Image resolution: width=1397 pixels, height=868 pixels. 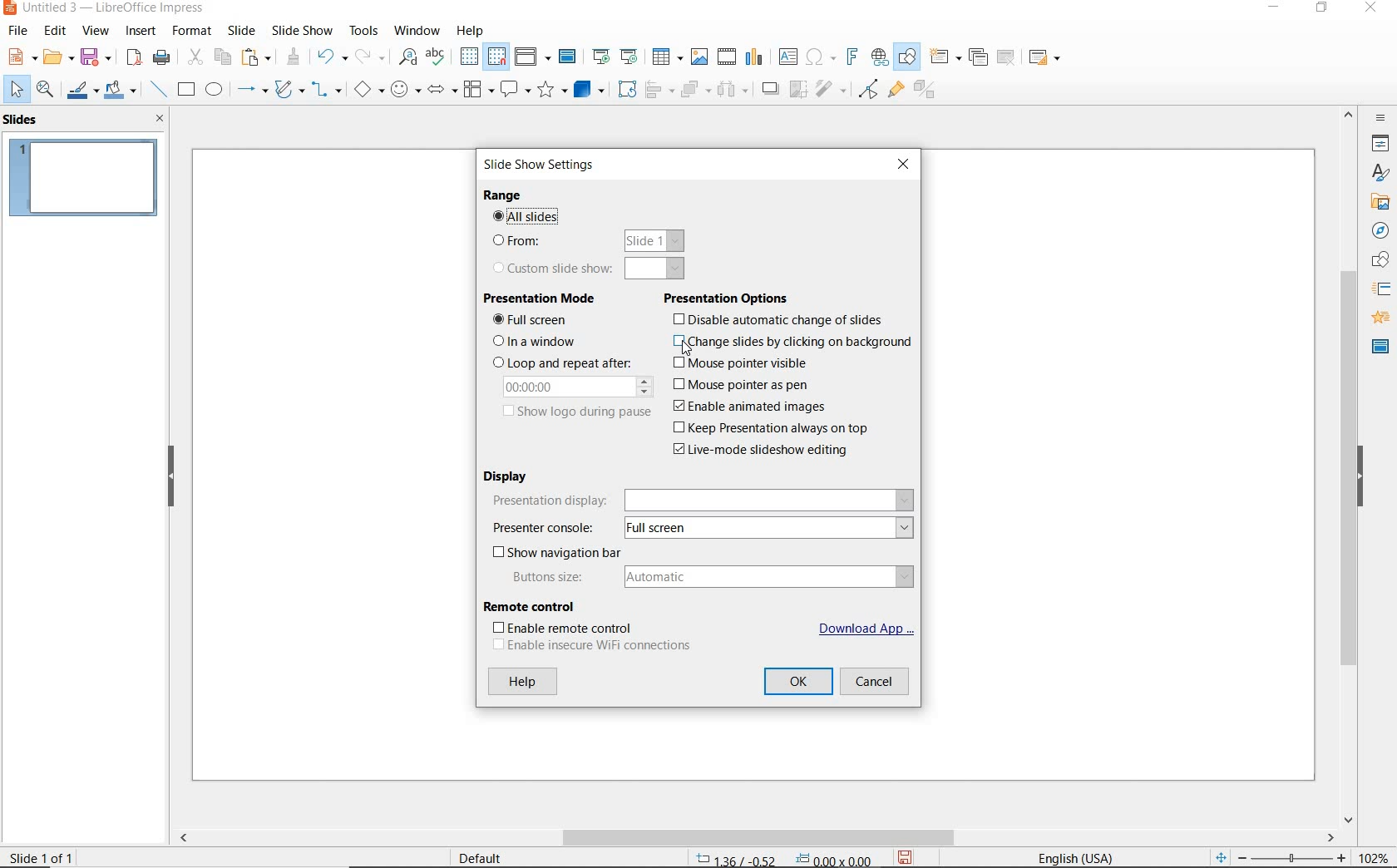 What do you see at coordinates (416, 30) in the screenshot?
I see `WINDOW` at bounding box center [416, 30].